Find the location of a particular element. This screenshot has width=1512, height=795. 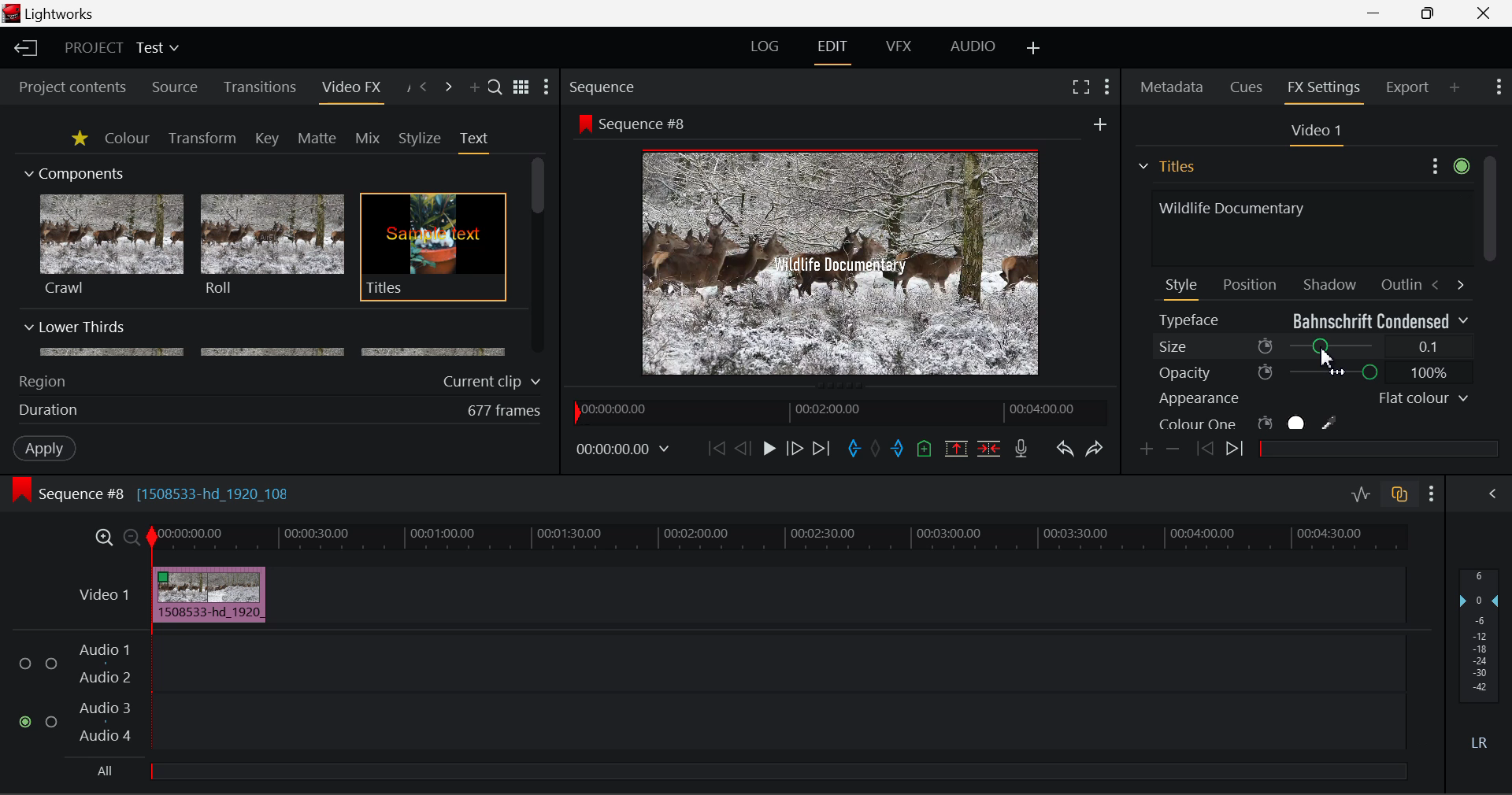

Restore Down is located at coordinates (1375, 11).